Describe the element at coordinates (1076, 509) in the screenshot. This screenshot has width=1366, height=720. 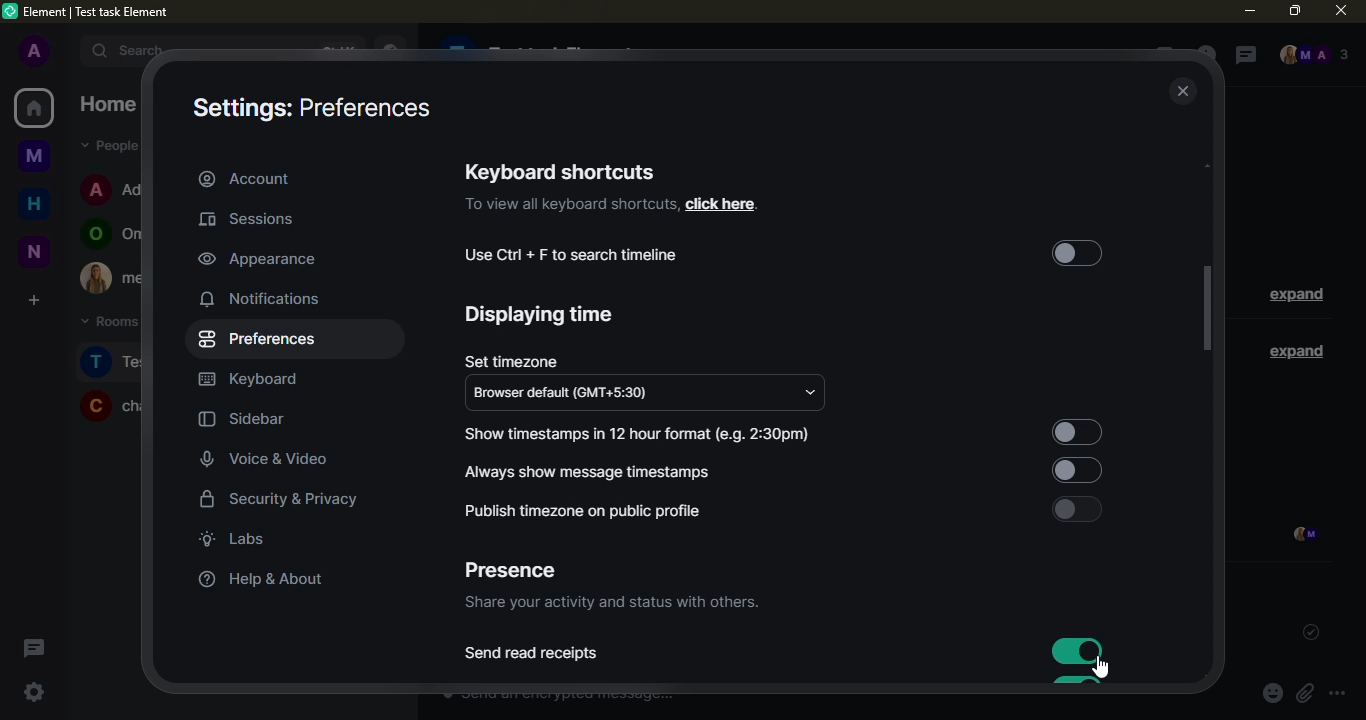
I see `enable` at that location.